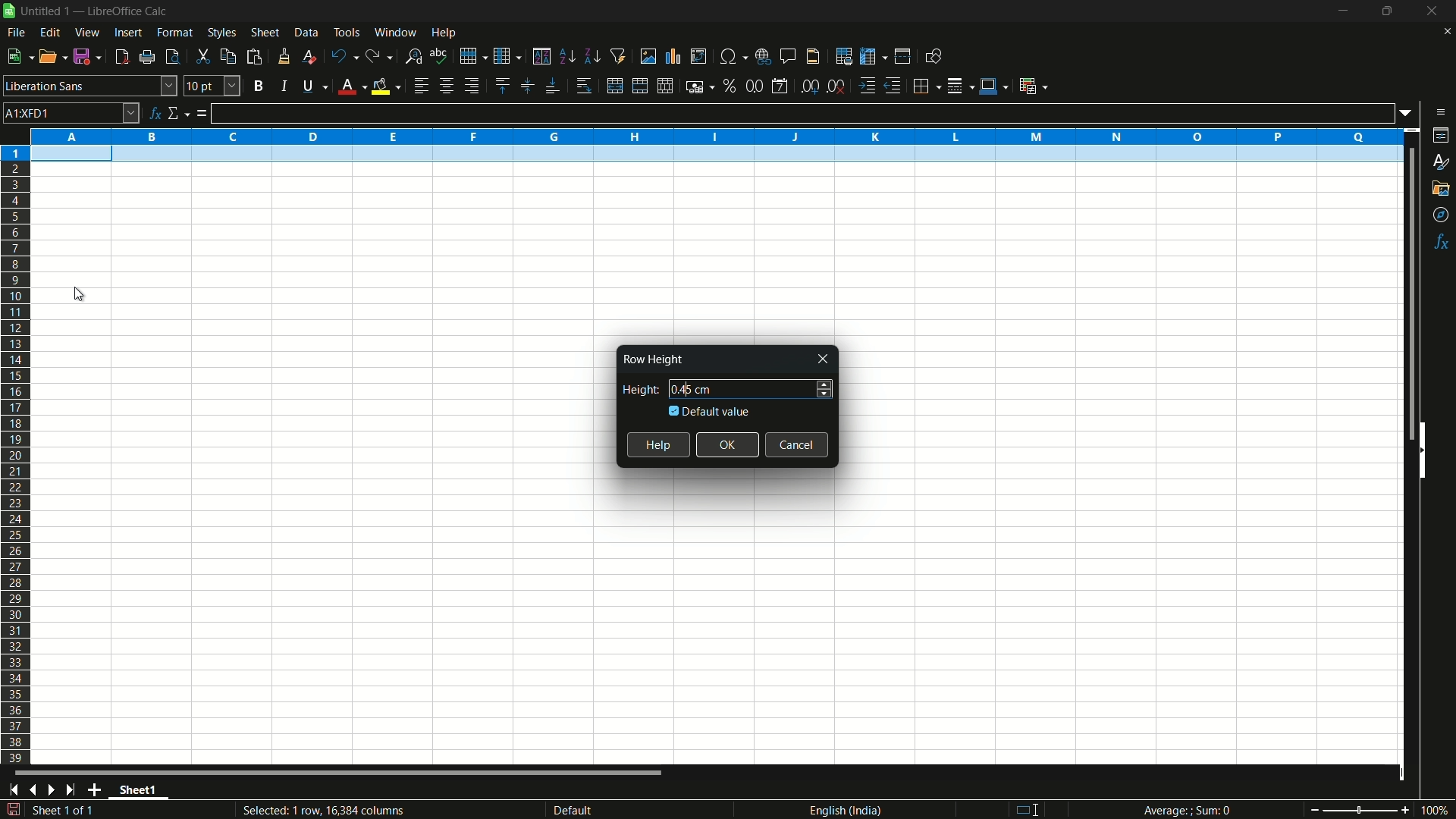 This screenshot has width=1456, height=819. I want to click on paste, so click(254, 57).